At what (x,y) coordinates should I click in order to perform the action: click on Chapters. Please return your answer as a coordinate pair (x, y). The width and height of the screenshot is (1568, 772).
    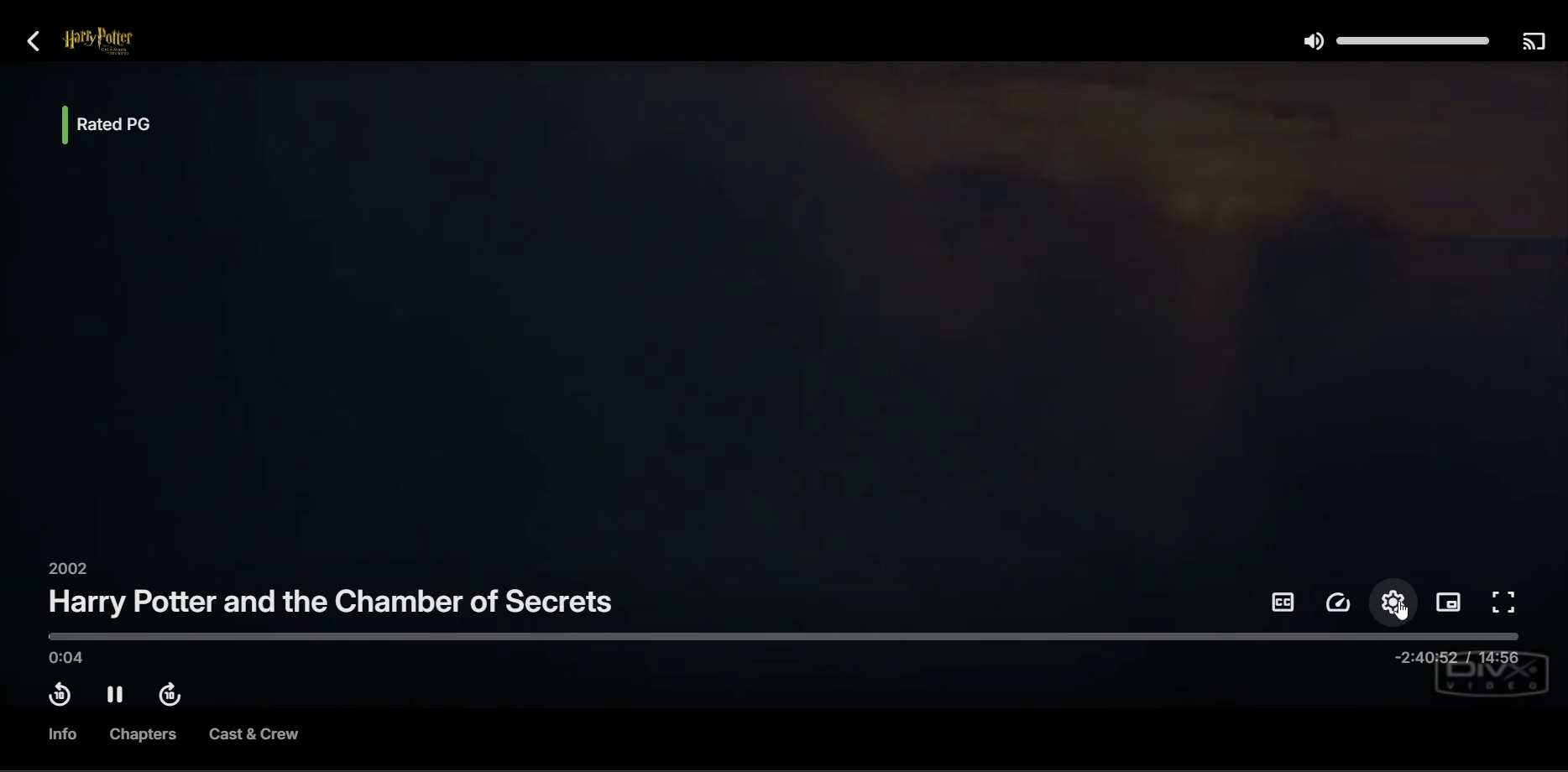
    Looking at the image, I should click on (144, 736).